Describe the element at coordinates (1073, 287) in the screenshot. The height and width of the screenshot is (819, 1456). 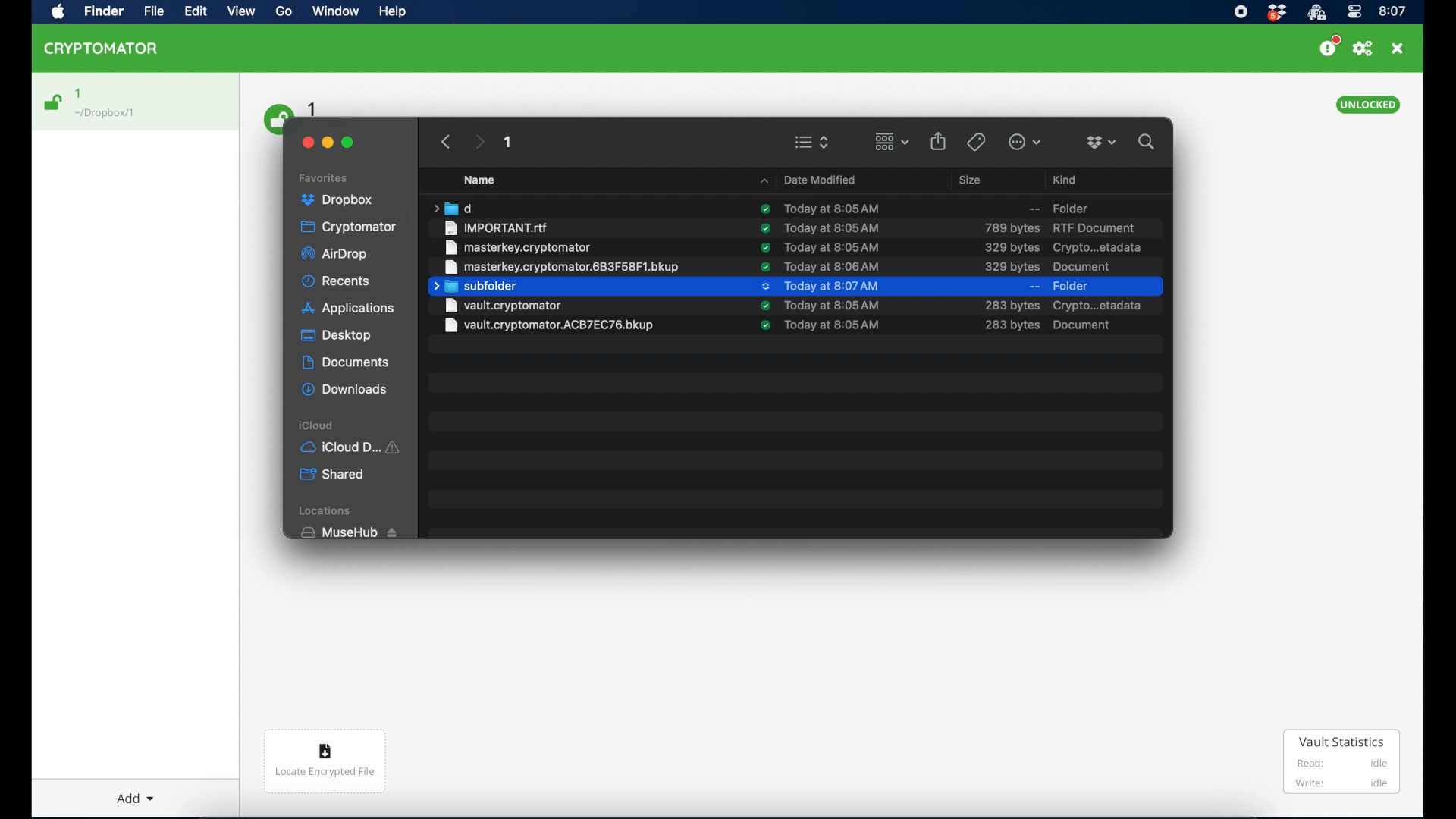
I see `folder` at that location.